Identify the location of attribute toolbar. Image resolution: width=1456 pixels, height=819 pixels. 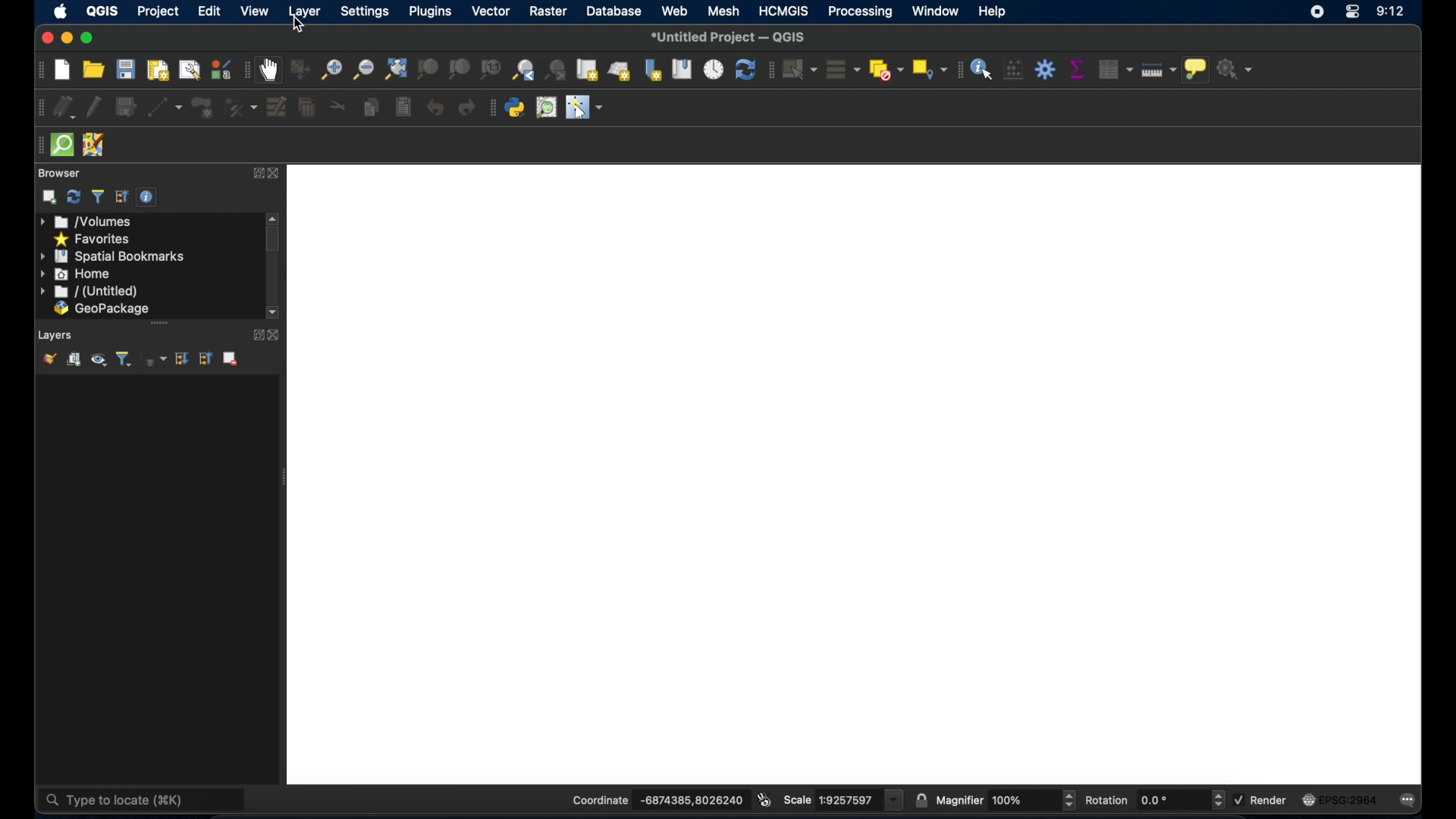
(958, 71).